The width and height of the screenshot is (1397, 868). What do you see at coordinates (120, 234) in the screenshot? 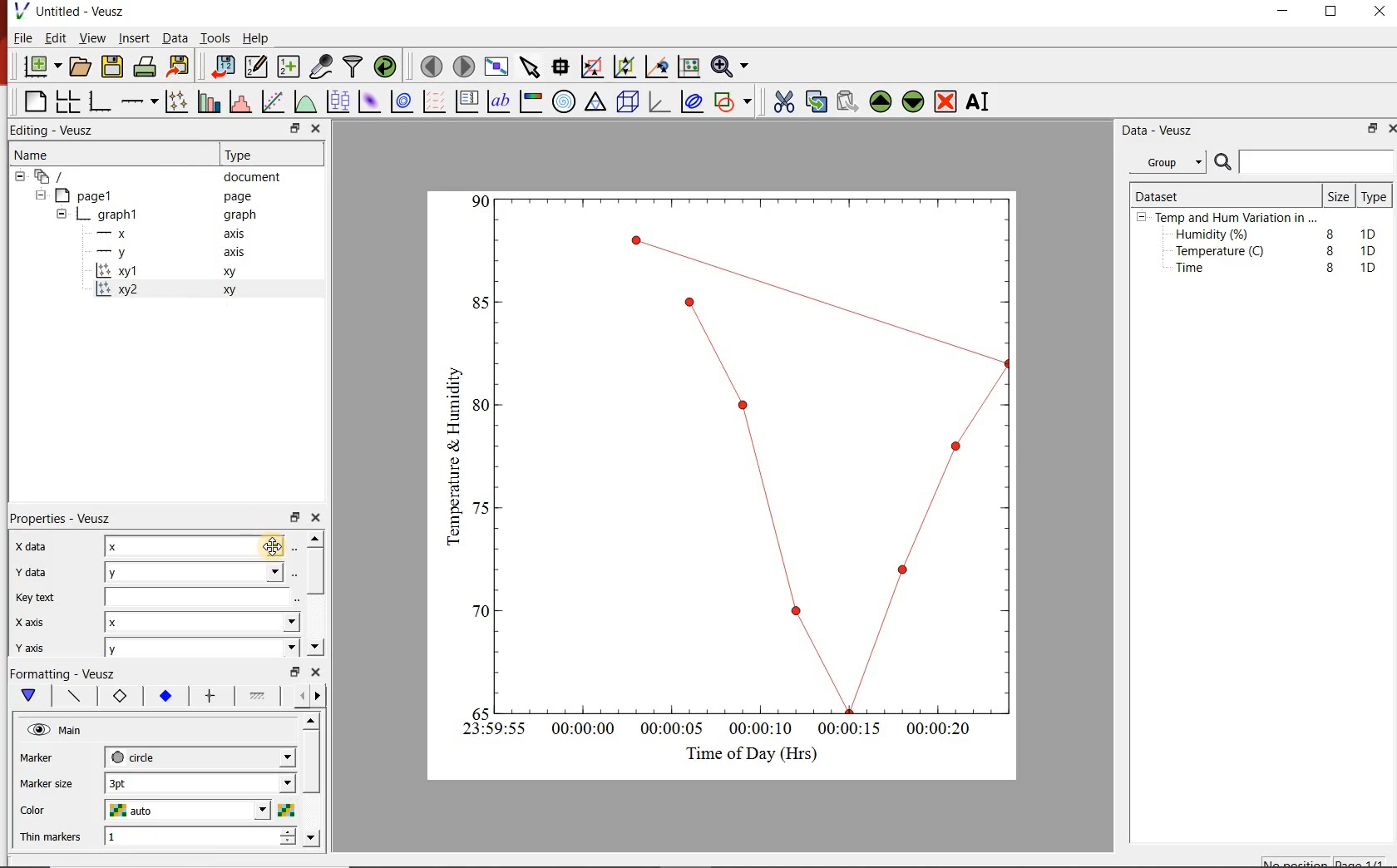
I see `x` at bounding box center [120, 234].